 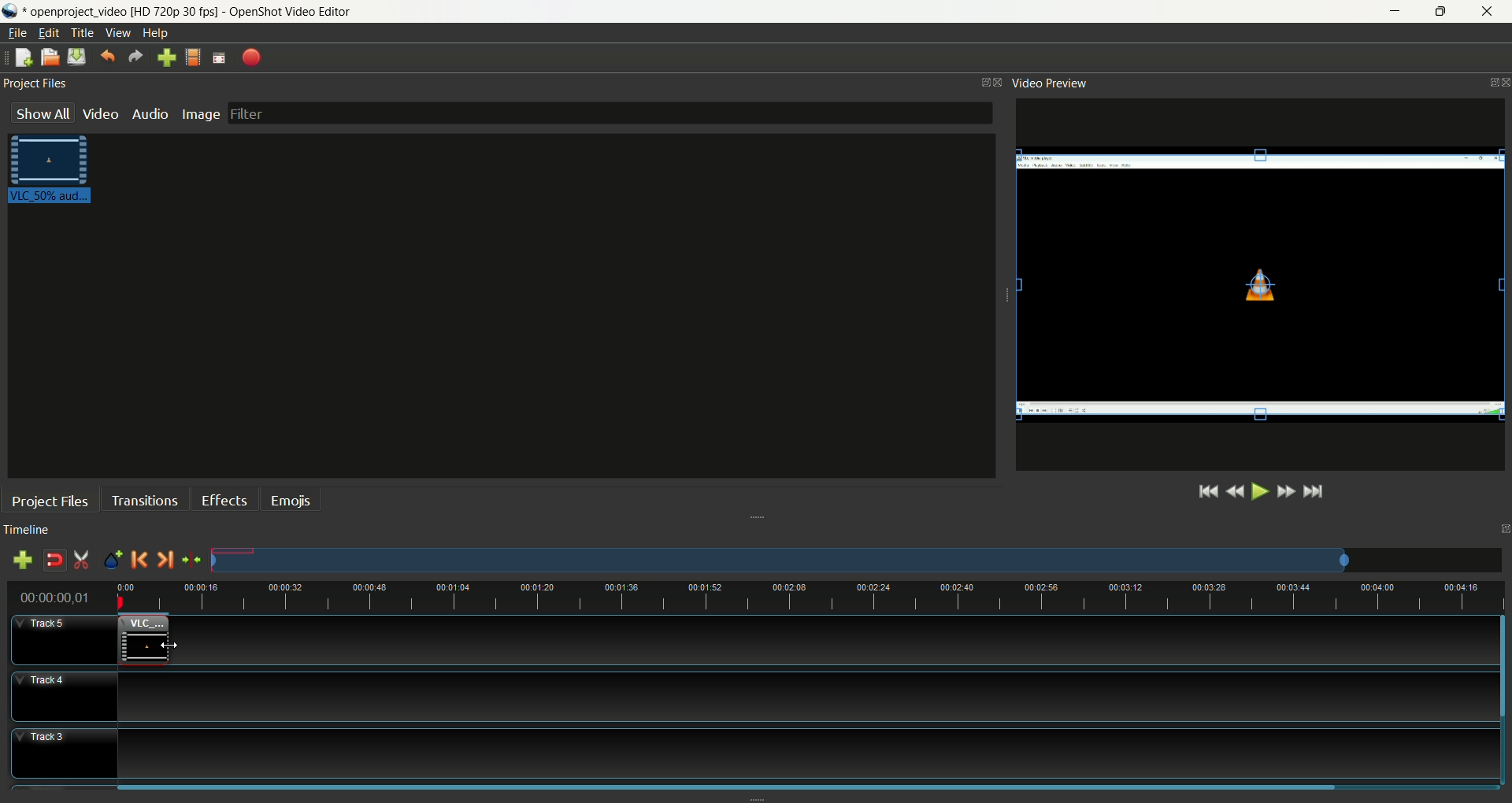 I want to click on show all, so click(x=36, y=113).